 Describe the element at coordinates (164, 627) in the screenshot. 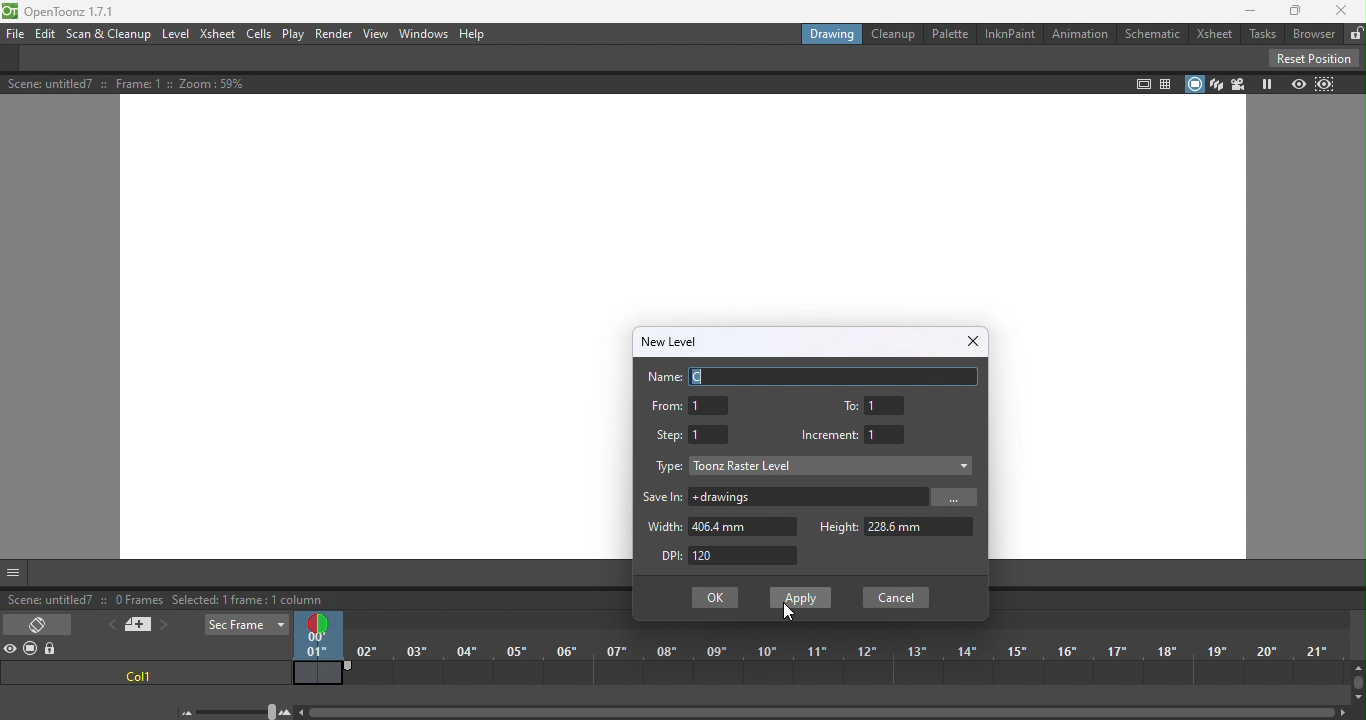

I see `Next memo` at that location.